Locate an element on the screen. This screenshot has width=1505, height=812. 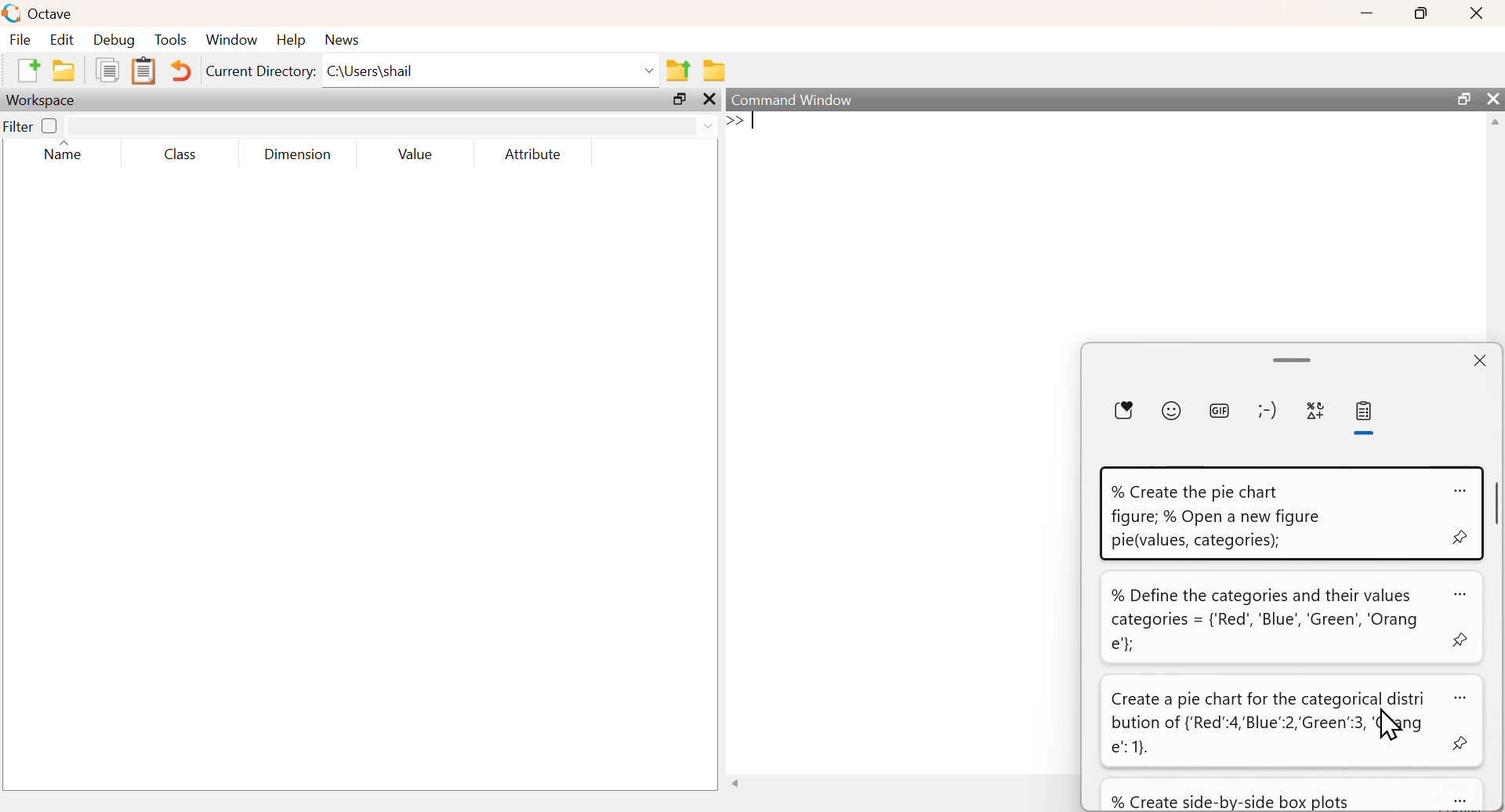
Folder is located at coordinates (713, 71).